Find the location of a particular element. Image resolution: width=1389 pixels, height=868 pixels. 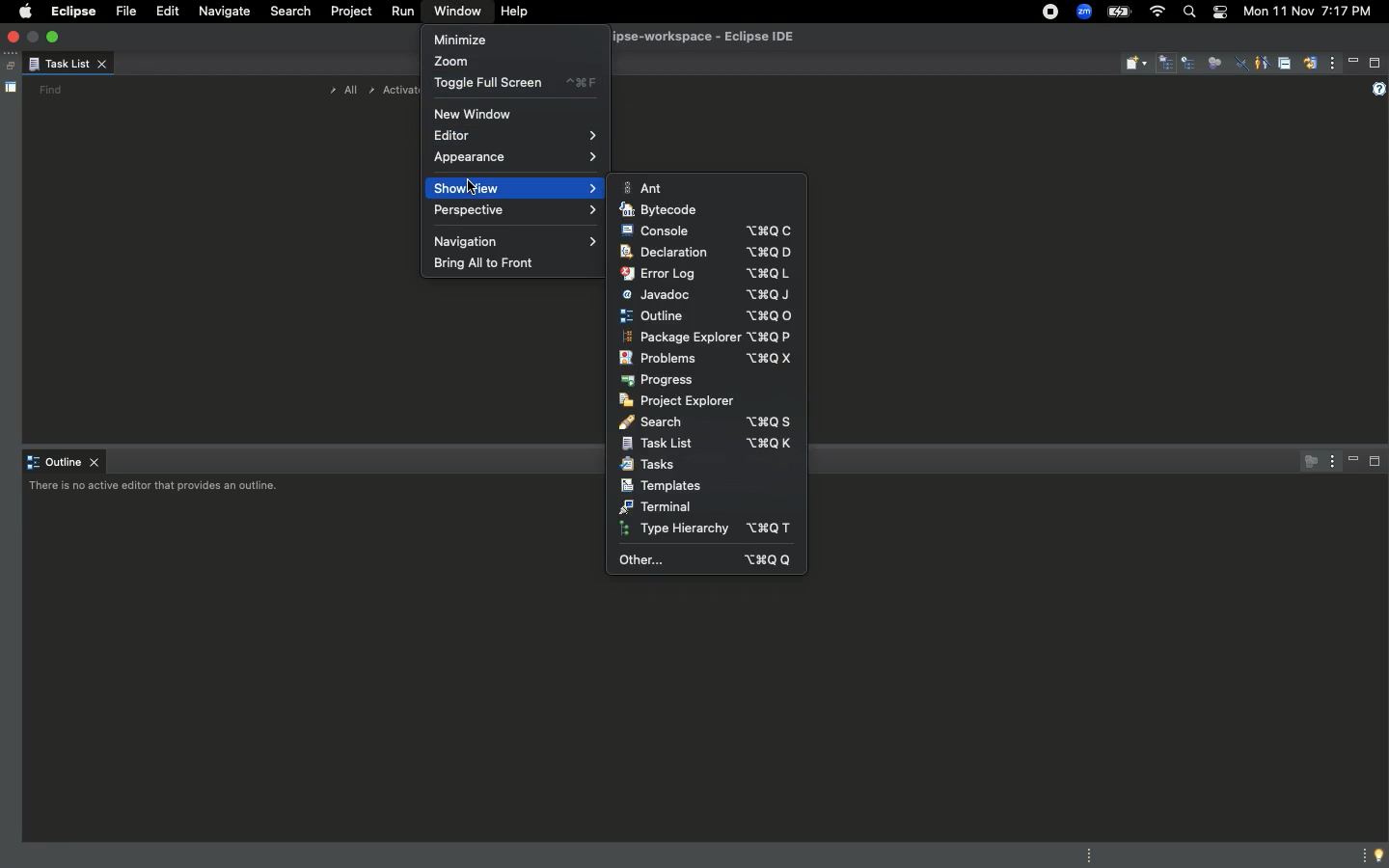

Date/time is located at coordinates (1306, 12).